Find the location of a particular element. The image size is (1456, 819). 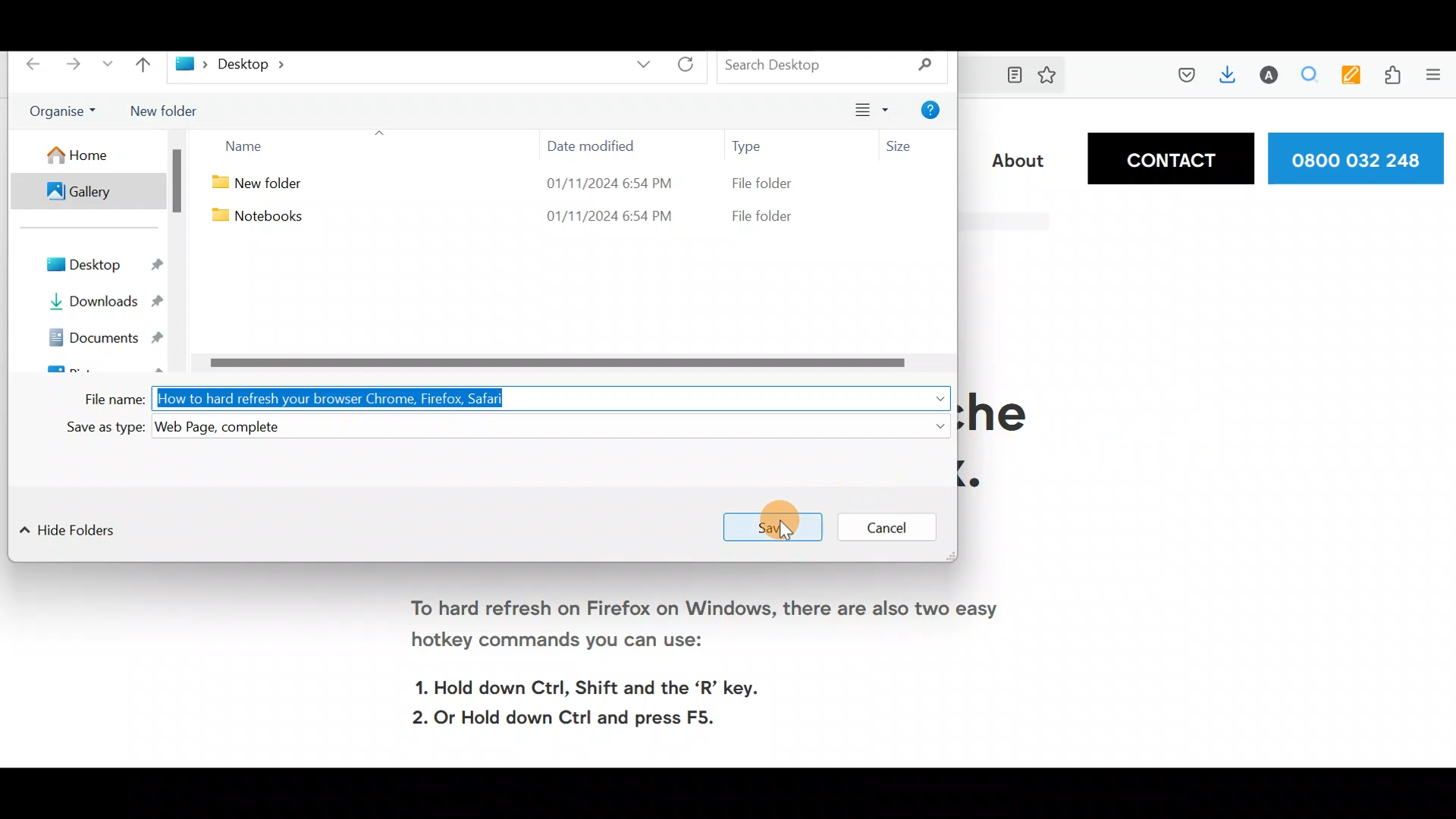

Notebooks is located at coordinates (256, 218).